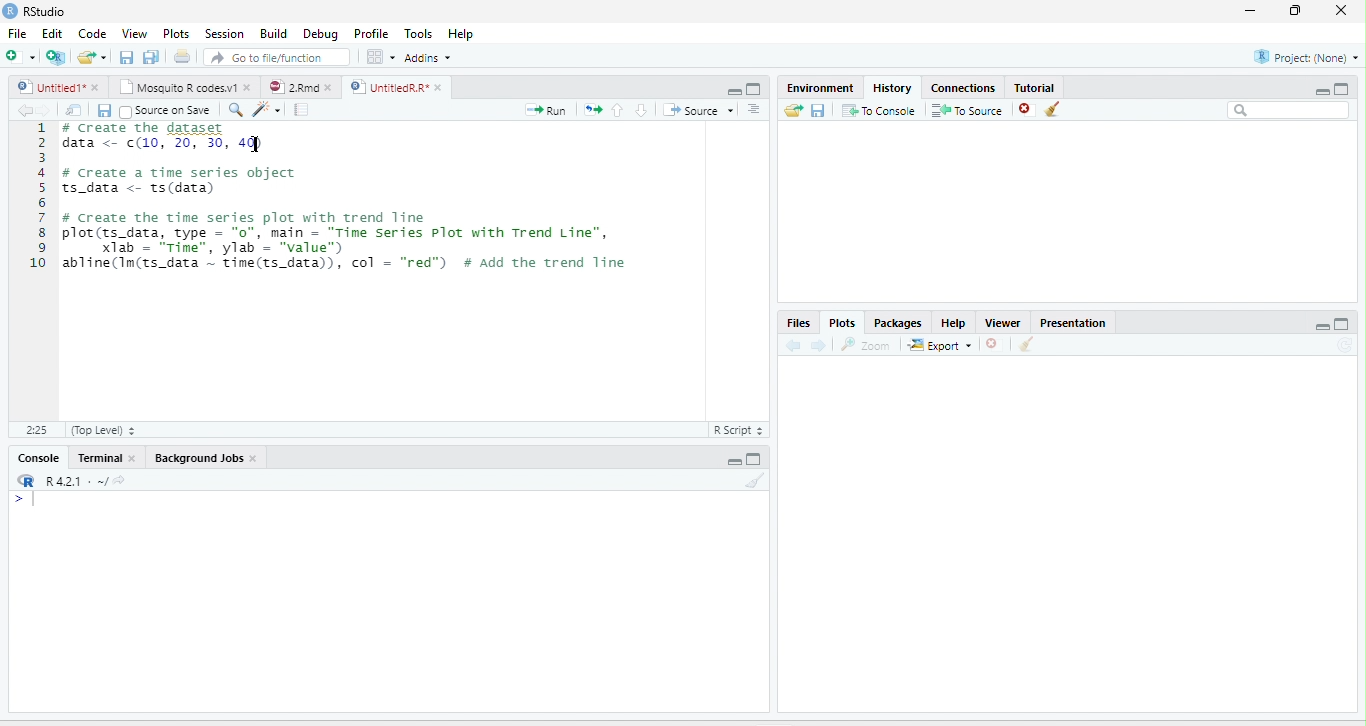 The height and width of the screenshot is (726, 1366). I want to click on Build, so click(273, 33).